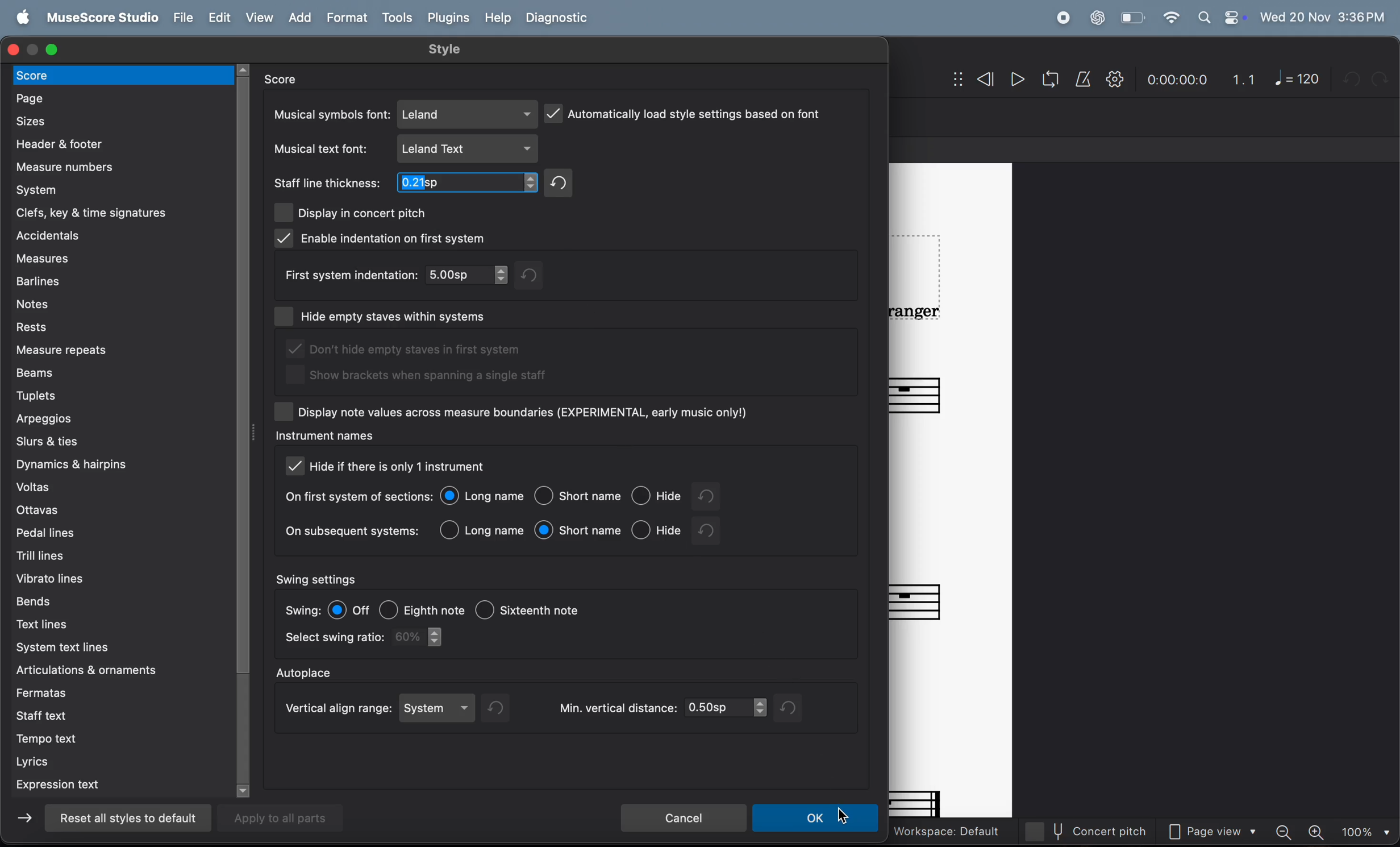 The height and width of the screenshot is (847, 1400). What do you see at coordinates (114, 465) in the screenshot?
I see `dynamic hairpins` at bounding box center [114, 465].